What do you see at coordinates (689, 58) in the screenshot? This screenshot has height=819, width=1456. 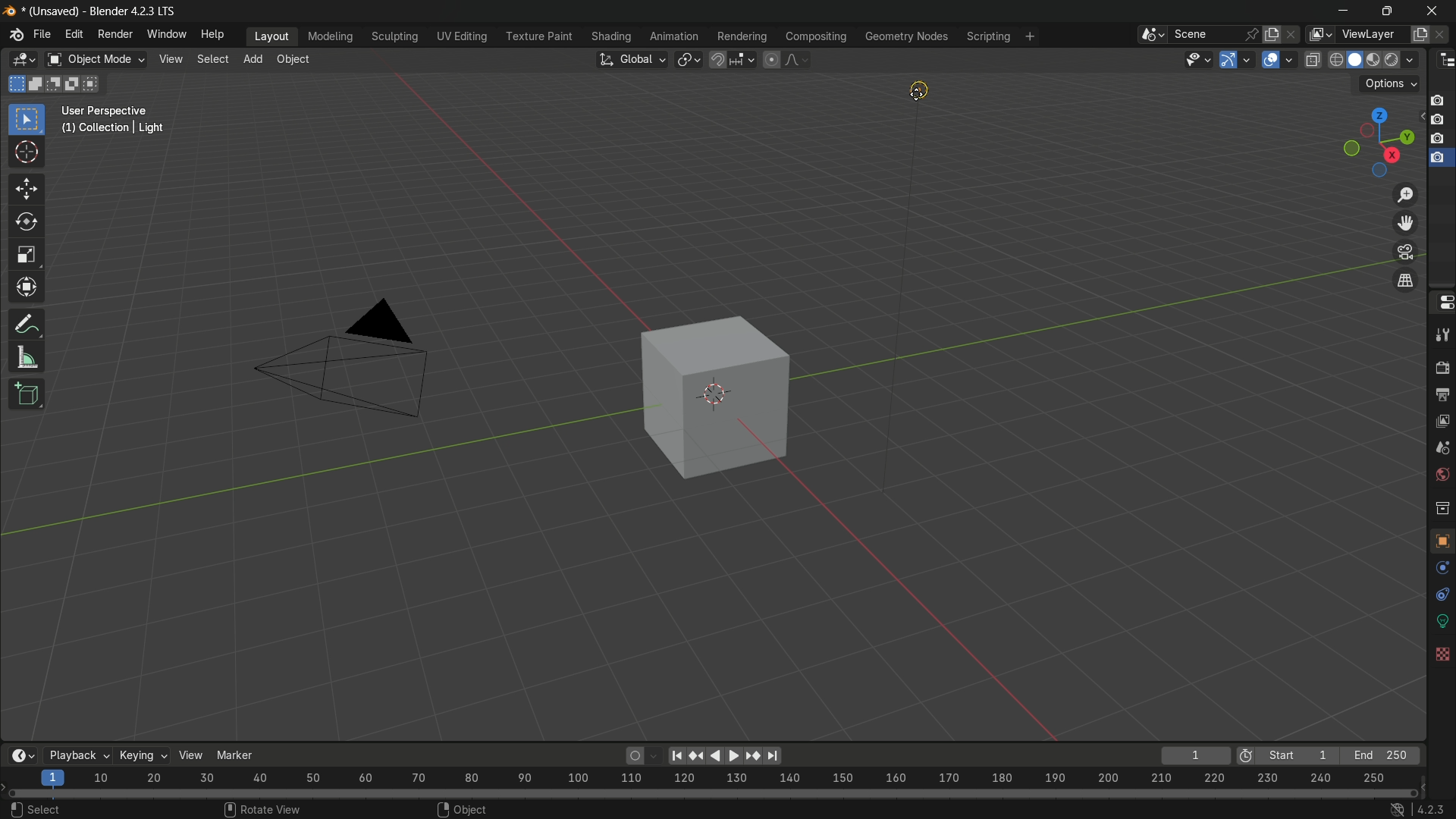 I see `transformation pivot table` at bounding box center [689, 58].